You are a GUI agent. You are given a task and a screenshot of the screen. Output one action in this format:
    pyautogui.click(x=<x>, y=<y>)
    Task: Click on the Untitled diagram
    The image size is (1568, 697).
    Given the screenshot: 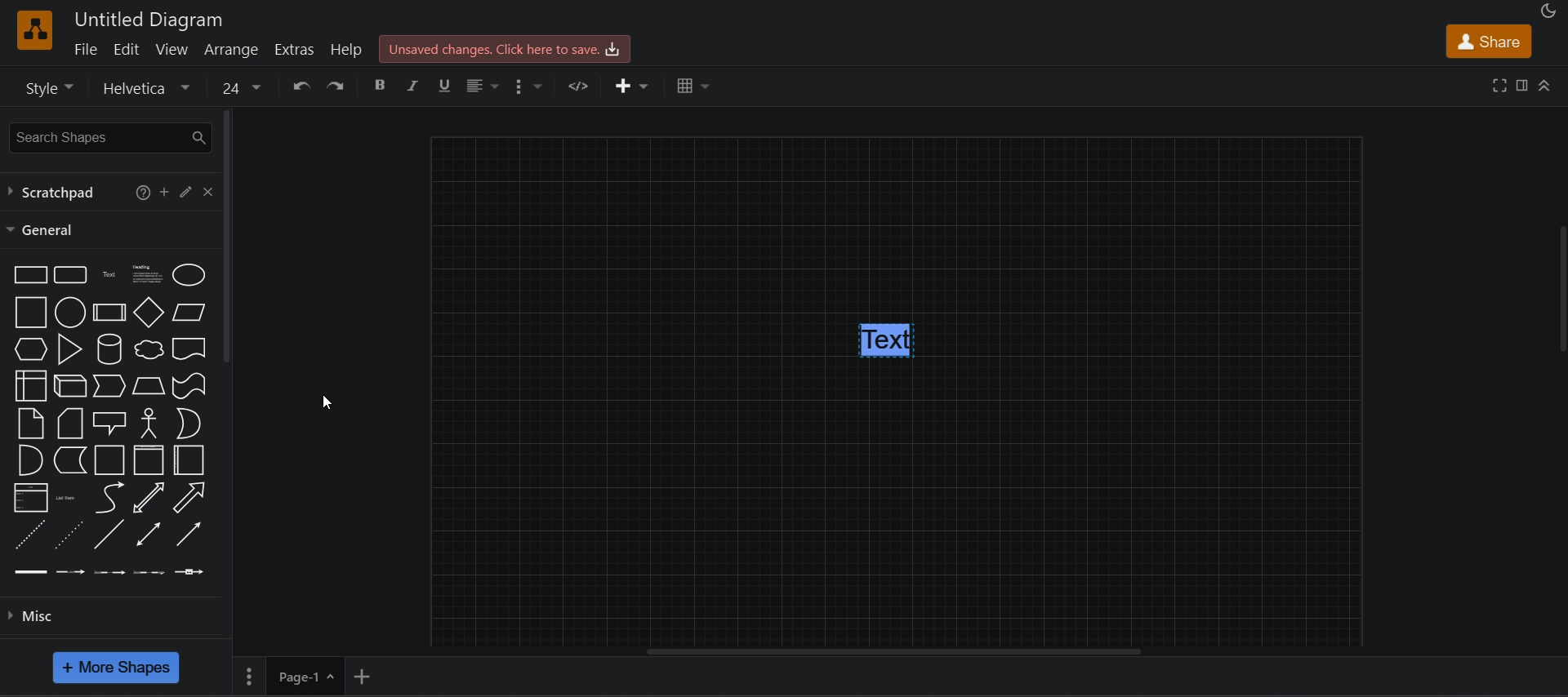 What is the action you would take?
    pyautogui.click(x=149, y=20)
    